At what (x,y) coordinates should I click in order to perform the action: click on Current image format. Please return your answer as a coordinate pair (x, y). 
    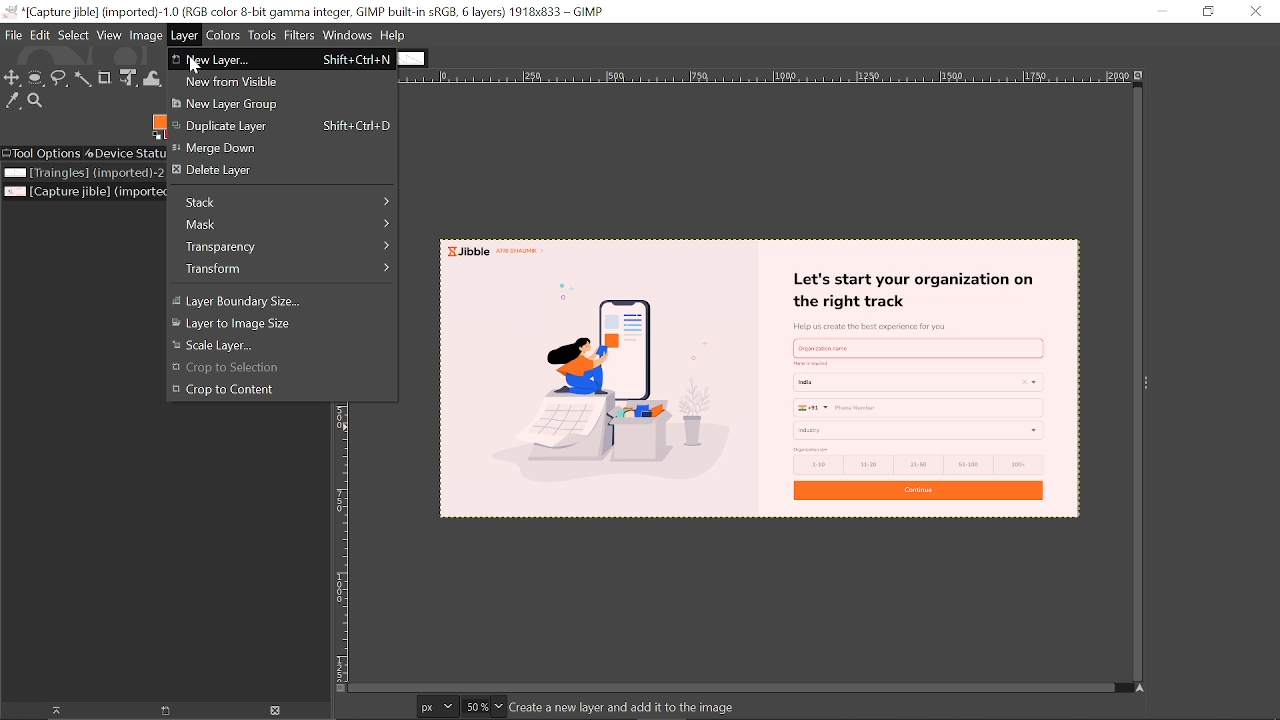
    Looking at the image, I should click on (440, 708).